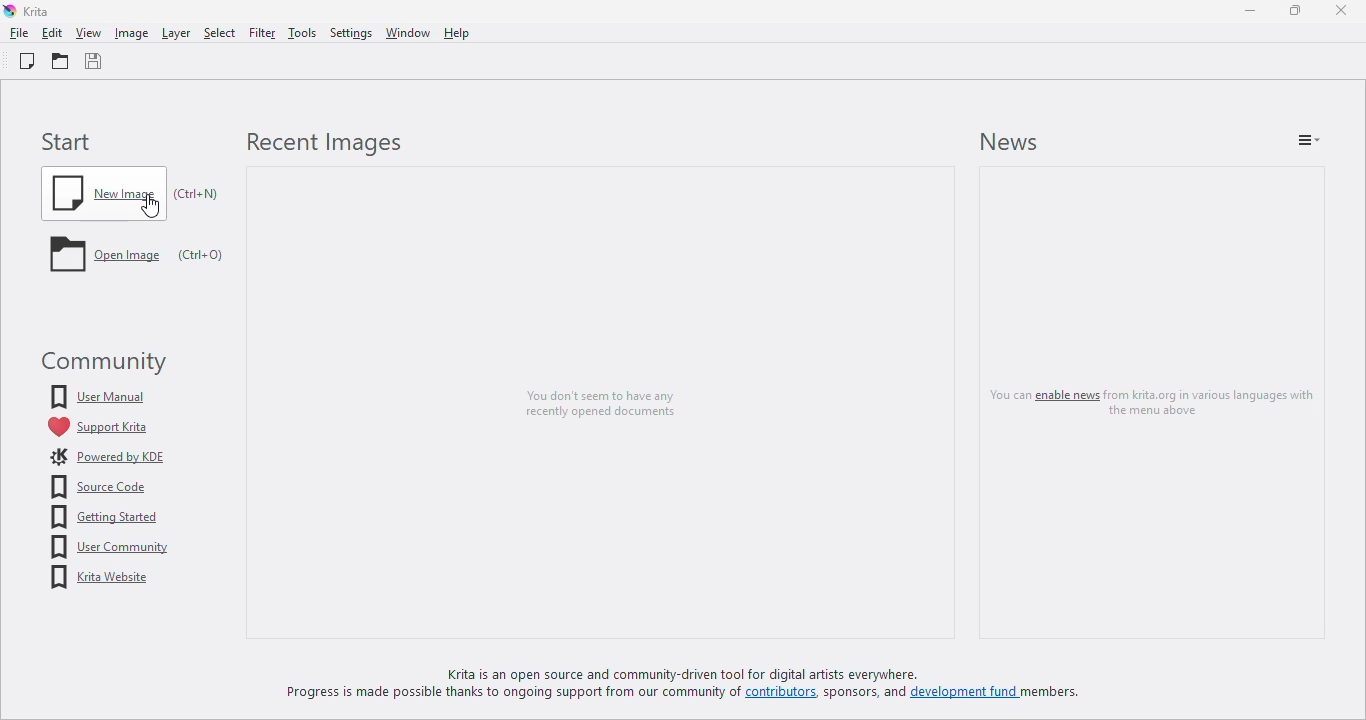 This screenshot has width=1366, height=720. What do you see at coordinates (787, 696) in the screenshot?
I see `contributors,` at bounding box center [787, 696].